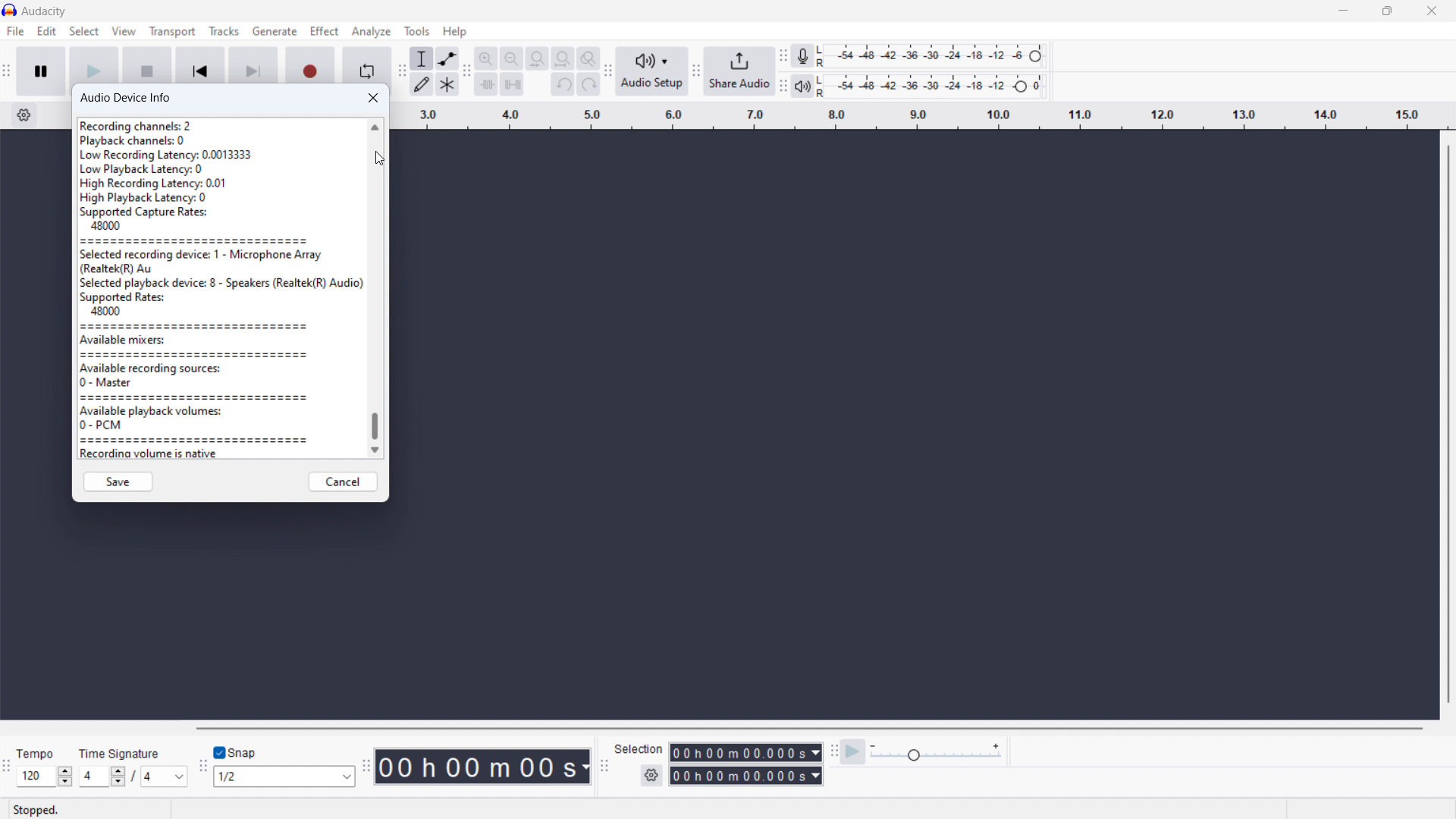 This screenshot has height=819, width=1456. I want to click on view, so click(124, 31).